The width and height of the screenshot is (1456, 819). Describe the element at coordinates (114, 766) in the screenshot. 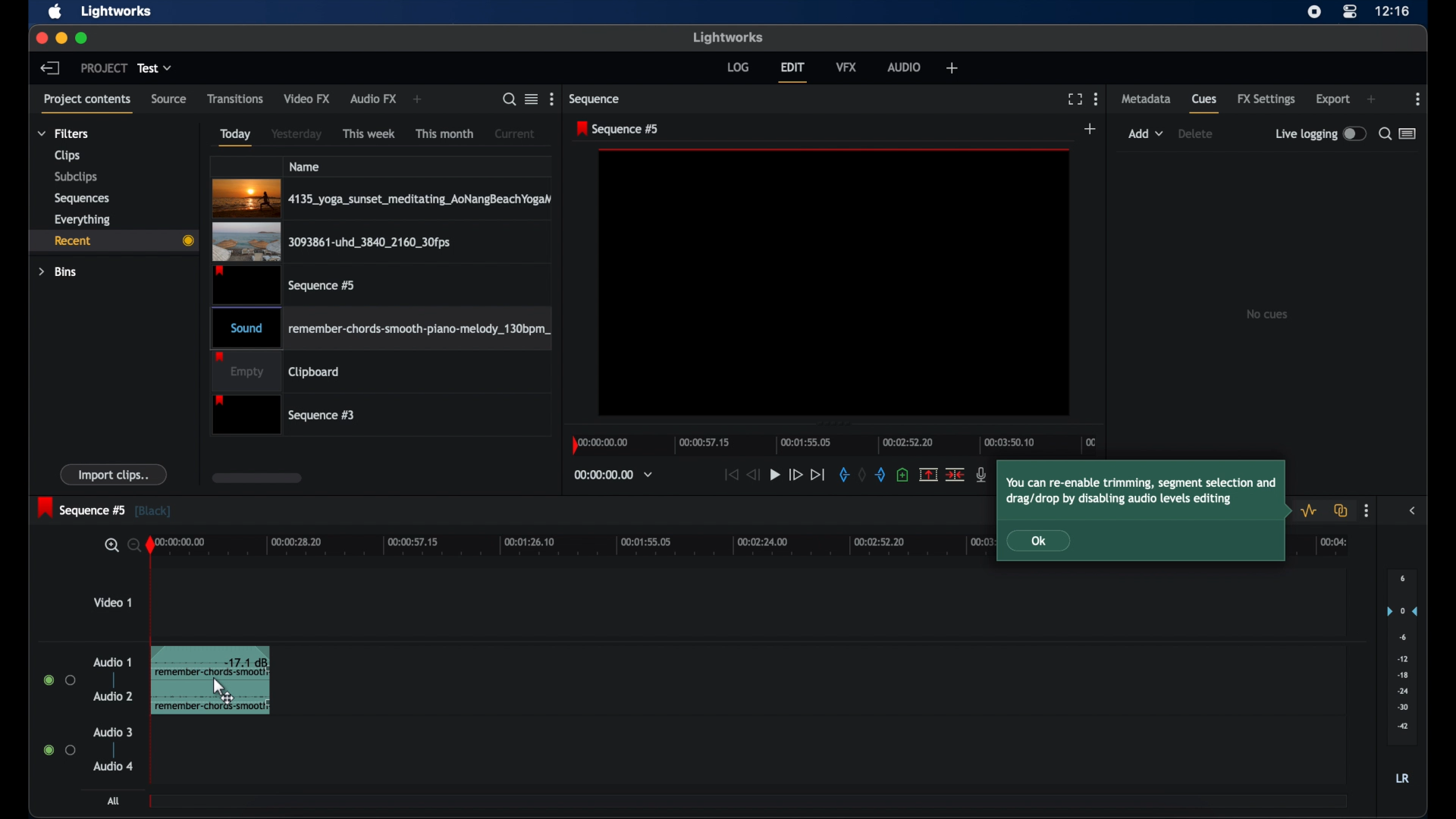

I see `audio 4` at that location.